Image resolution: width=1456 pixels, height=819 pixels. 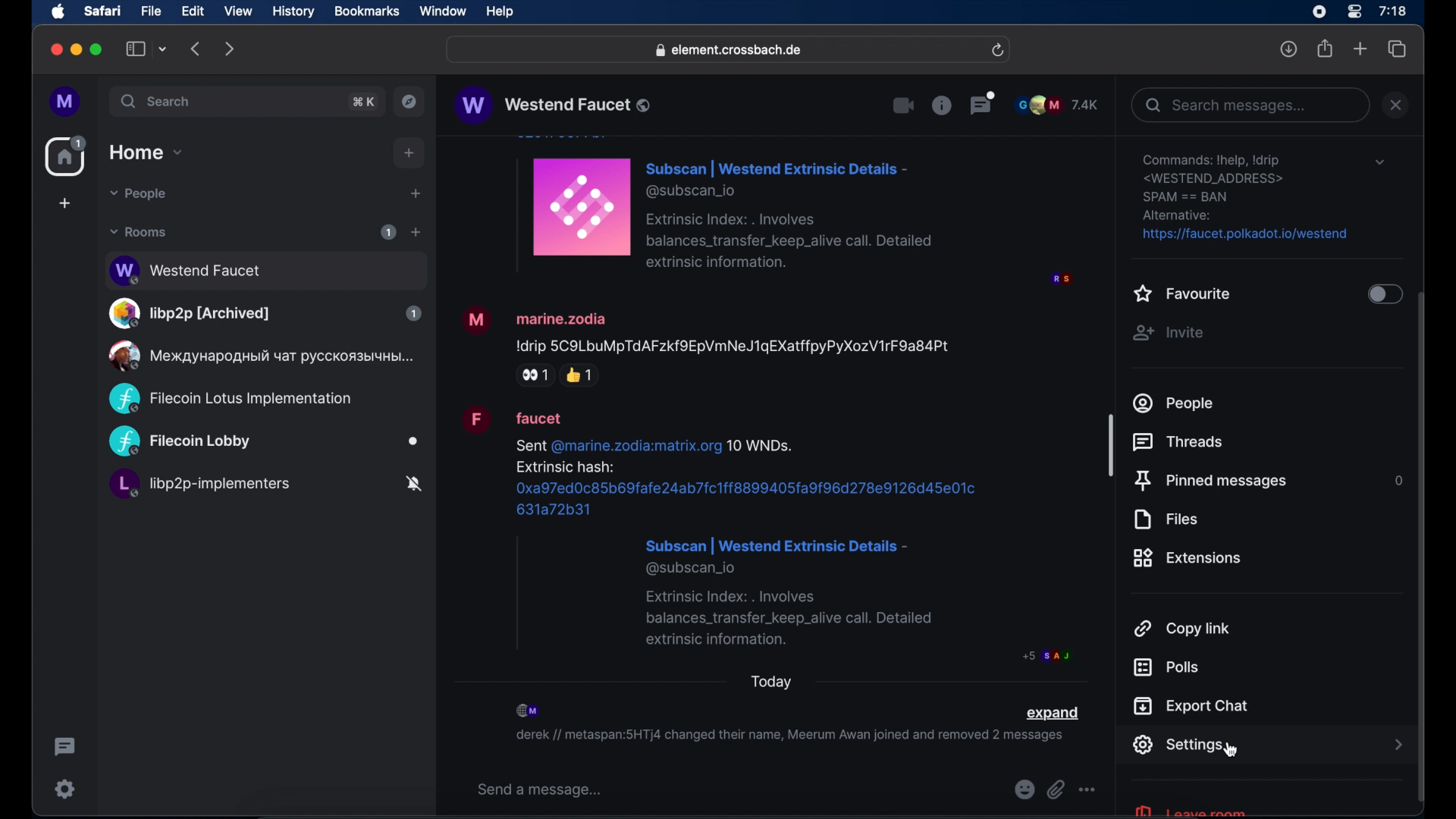 I want to click on thread activity, so click(x=66, y=747).